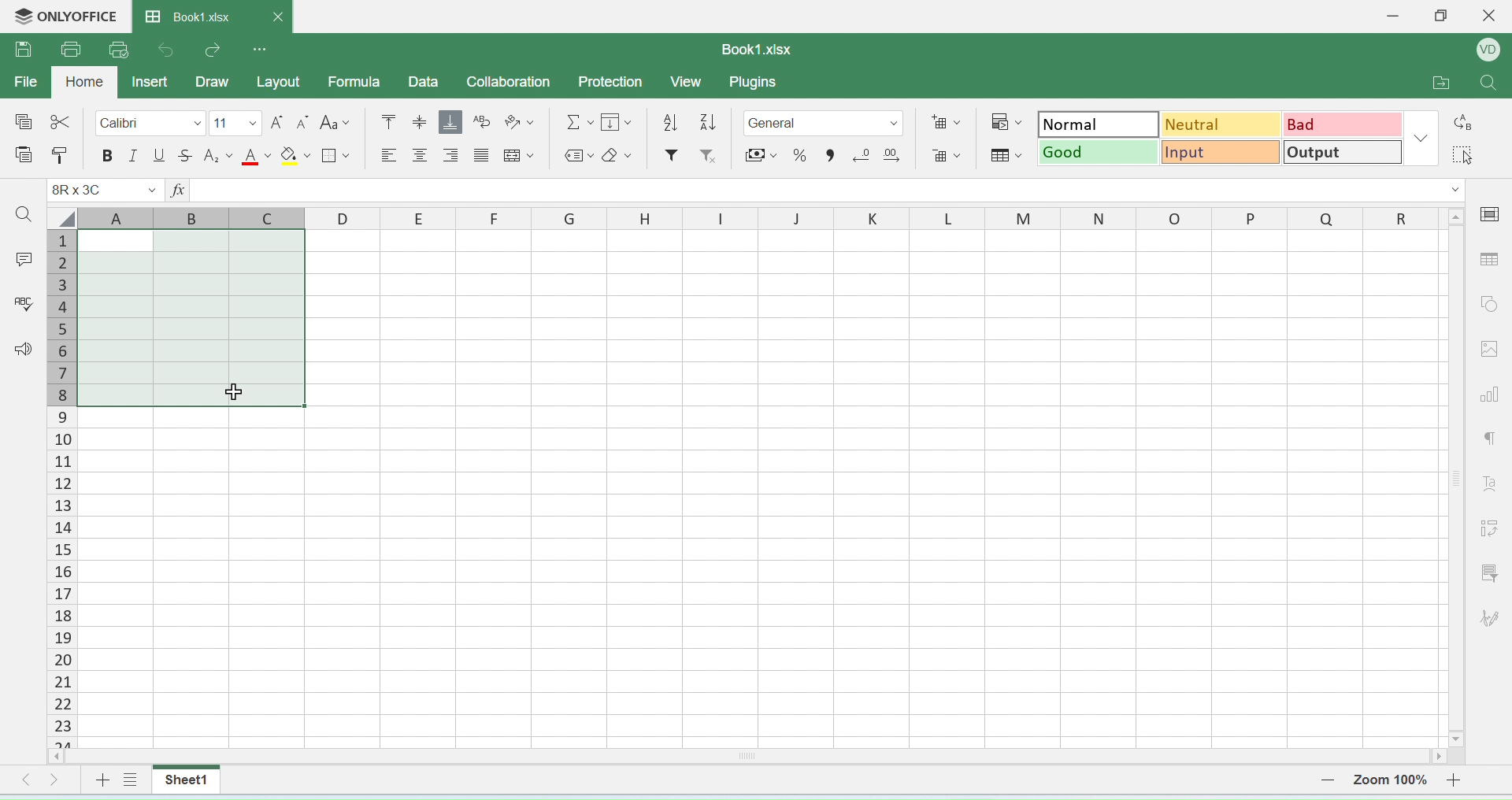 This screenshot has width=1512, height=800. Describe the element at coordinates (1441, 85) in the screenshot. I see `open folder` at that location.